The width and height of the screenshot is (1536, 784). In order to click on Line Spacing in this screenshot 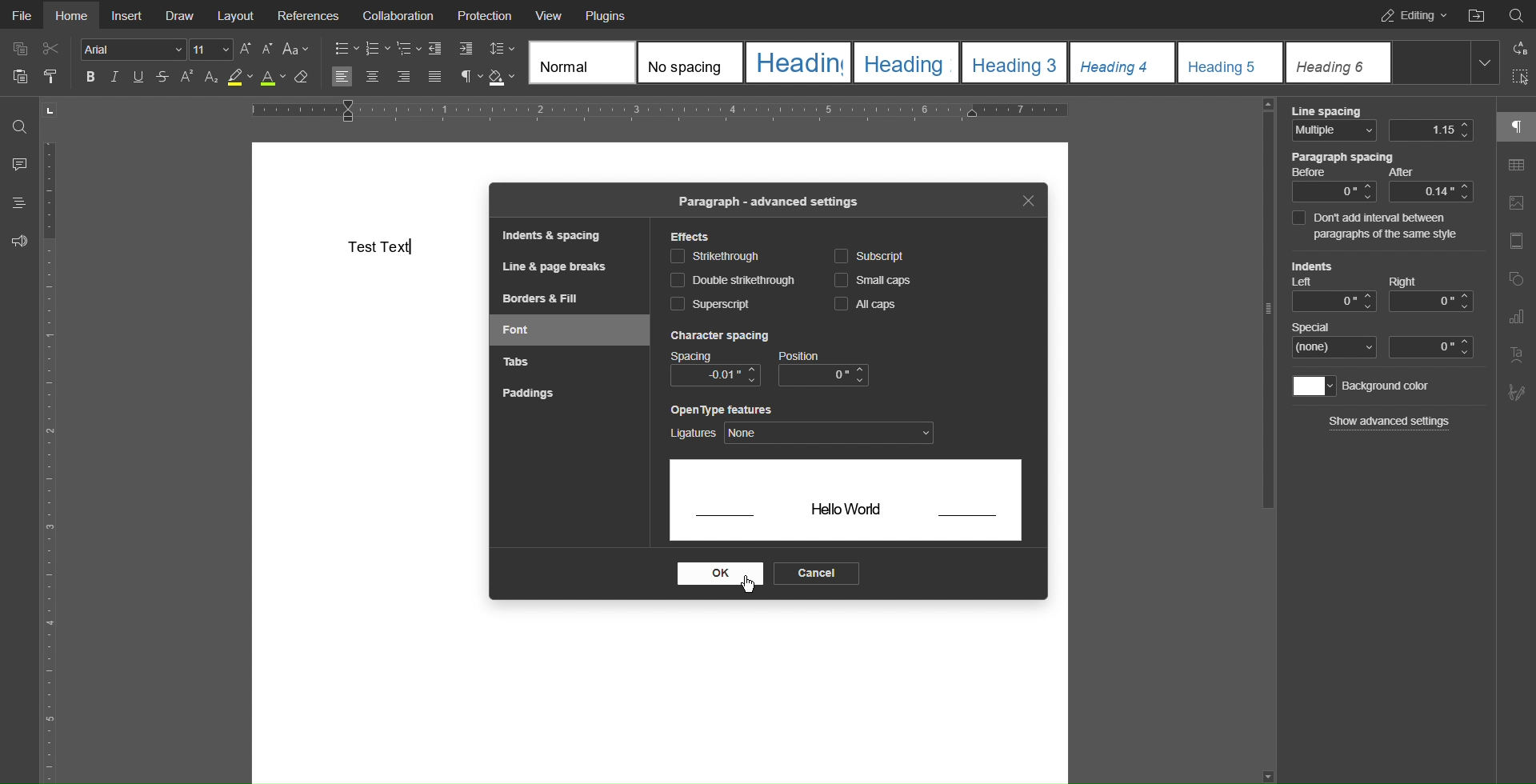, I will do `click(501, 47)`.